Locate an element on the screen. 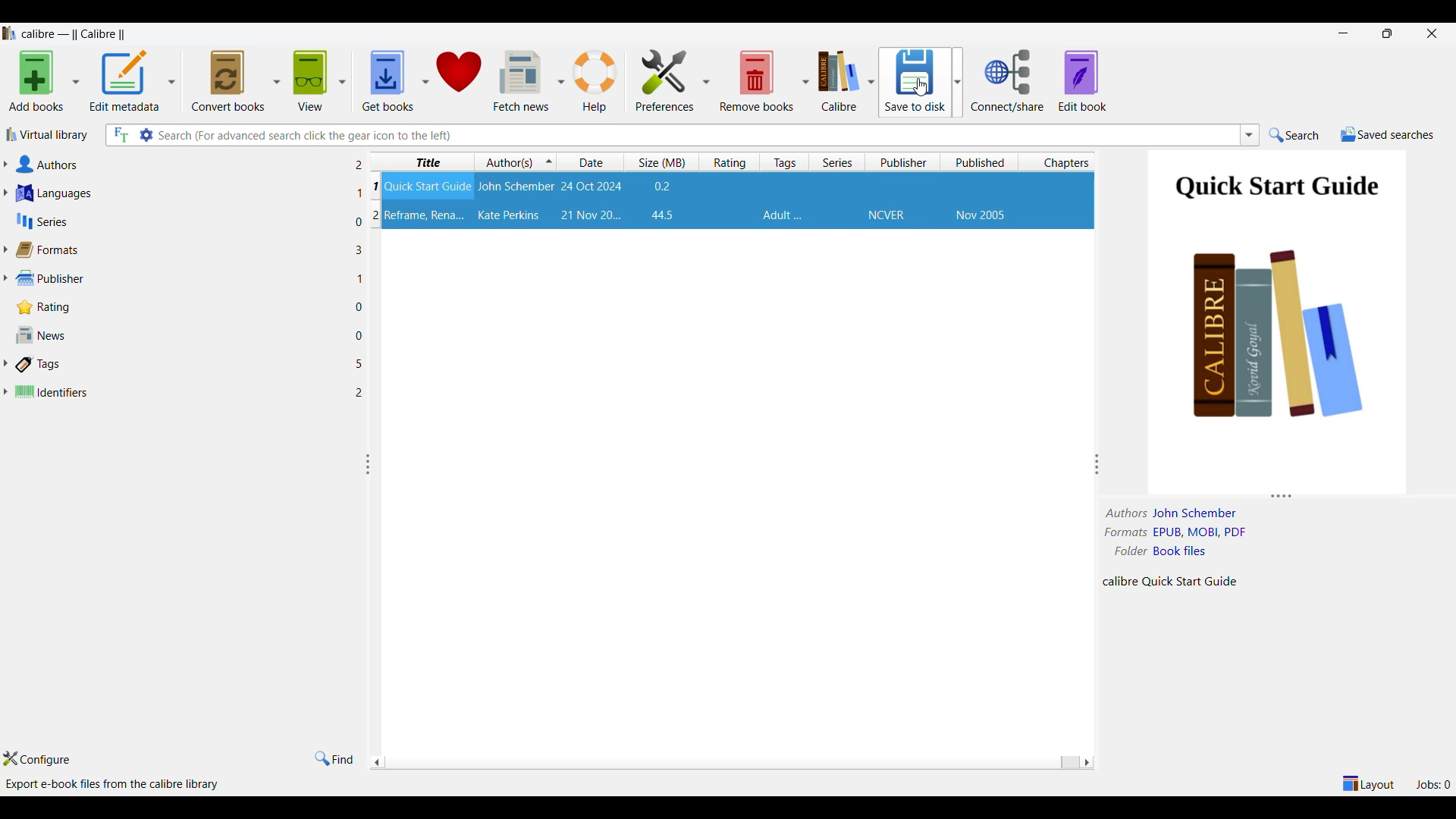 This screenshot has width=1456, height=819. Publisher column is located at coordinates (905, 162).